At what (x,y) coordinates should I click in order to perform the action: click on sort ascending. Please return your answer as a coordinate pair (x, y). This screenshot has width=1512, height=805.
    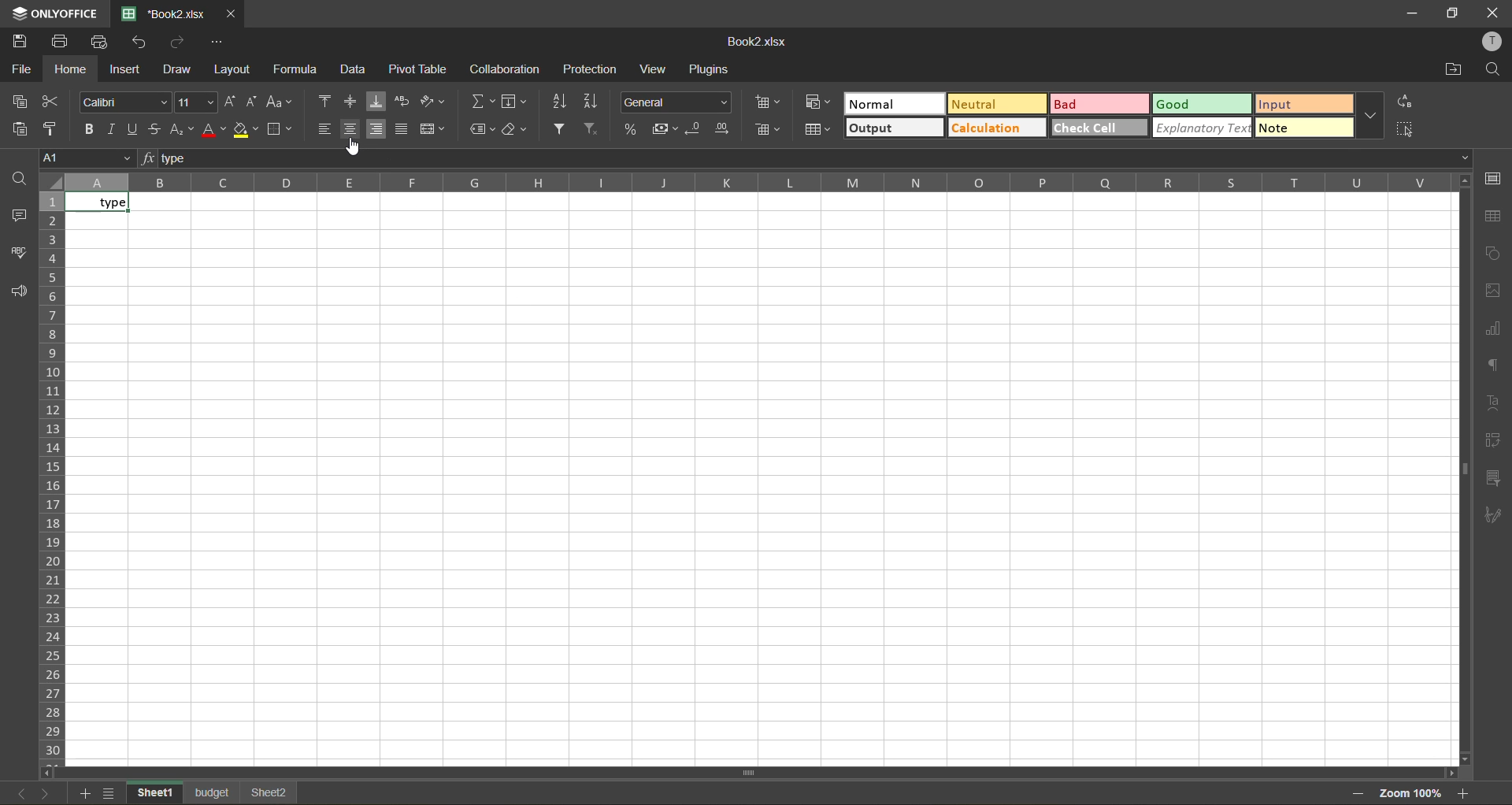
    Looking at the image, I should click on (562, 102).